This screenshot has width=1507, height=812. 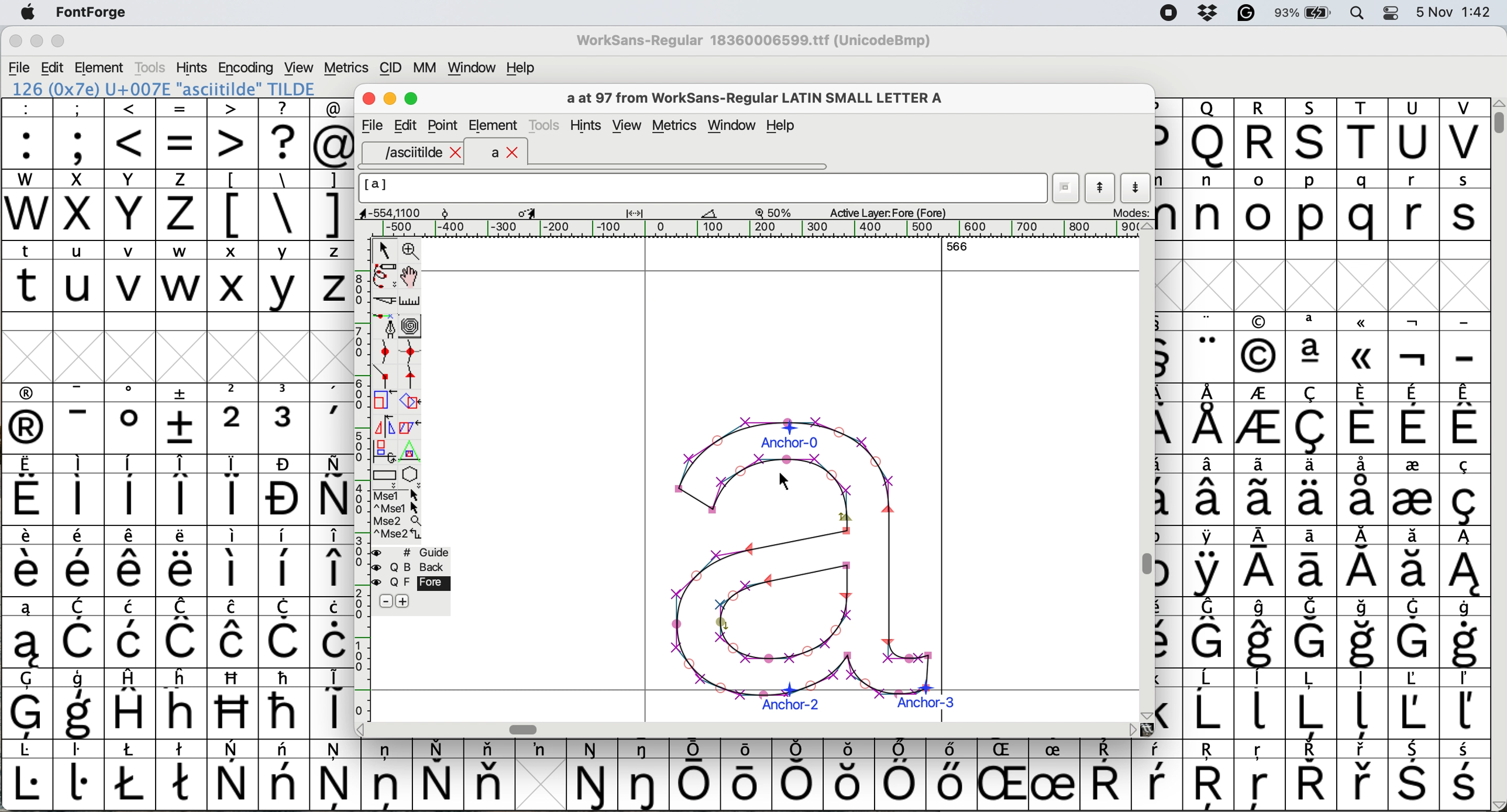 What do you see at coordinates (1312, 633) in the screenshot?
I see `symbol` at bounding box center [1312, 633].